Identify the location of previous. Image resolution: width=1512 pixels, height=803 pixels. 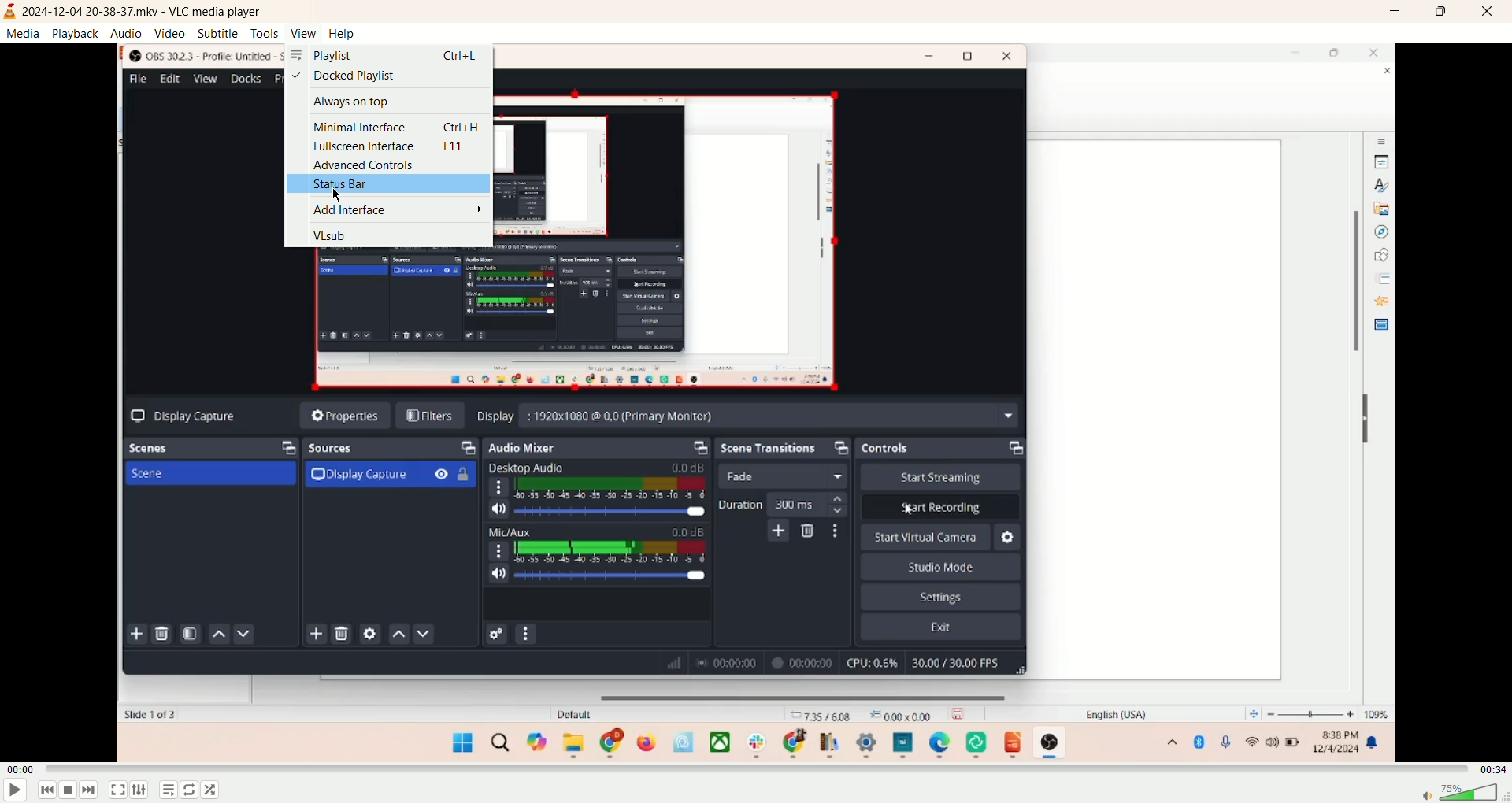
(48, 791).